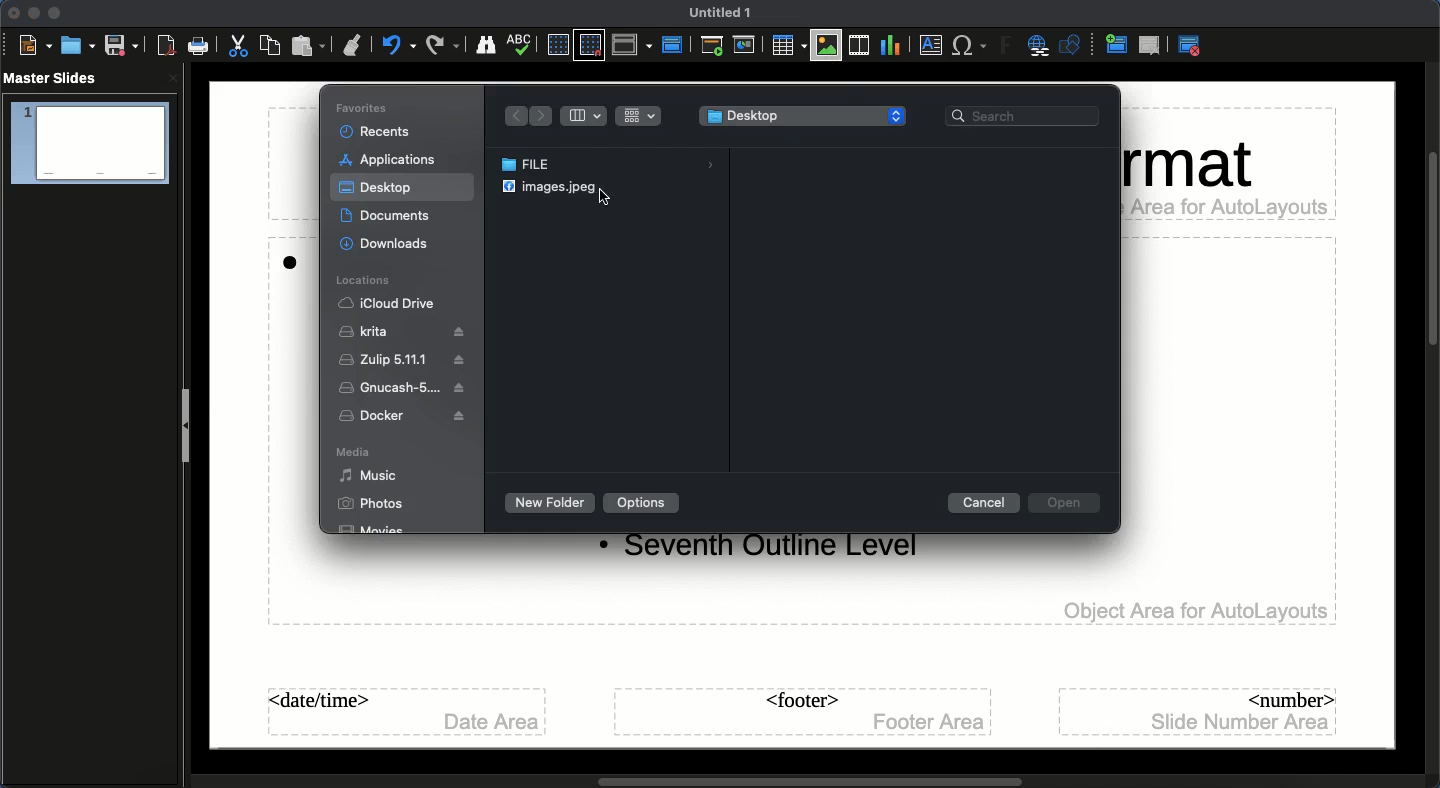  What do you see at coordinates (612, 165) in the screenshot?
I see `FILE` at bounding box center [612, 165].